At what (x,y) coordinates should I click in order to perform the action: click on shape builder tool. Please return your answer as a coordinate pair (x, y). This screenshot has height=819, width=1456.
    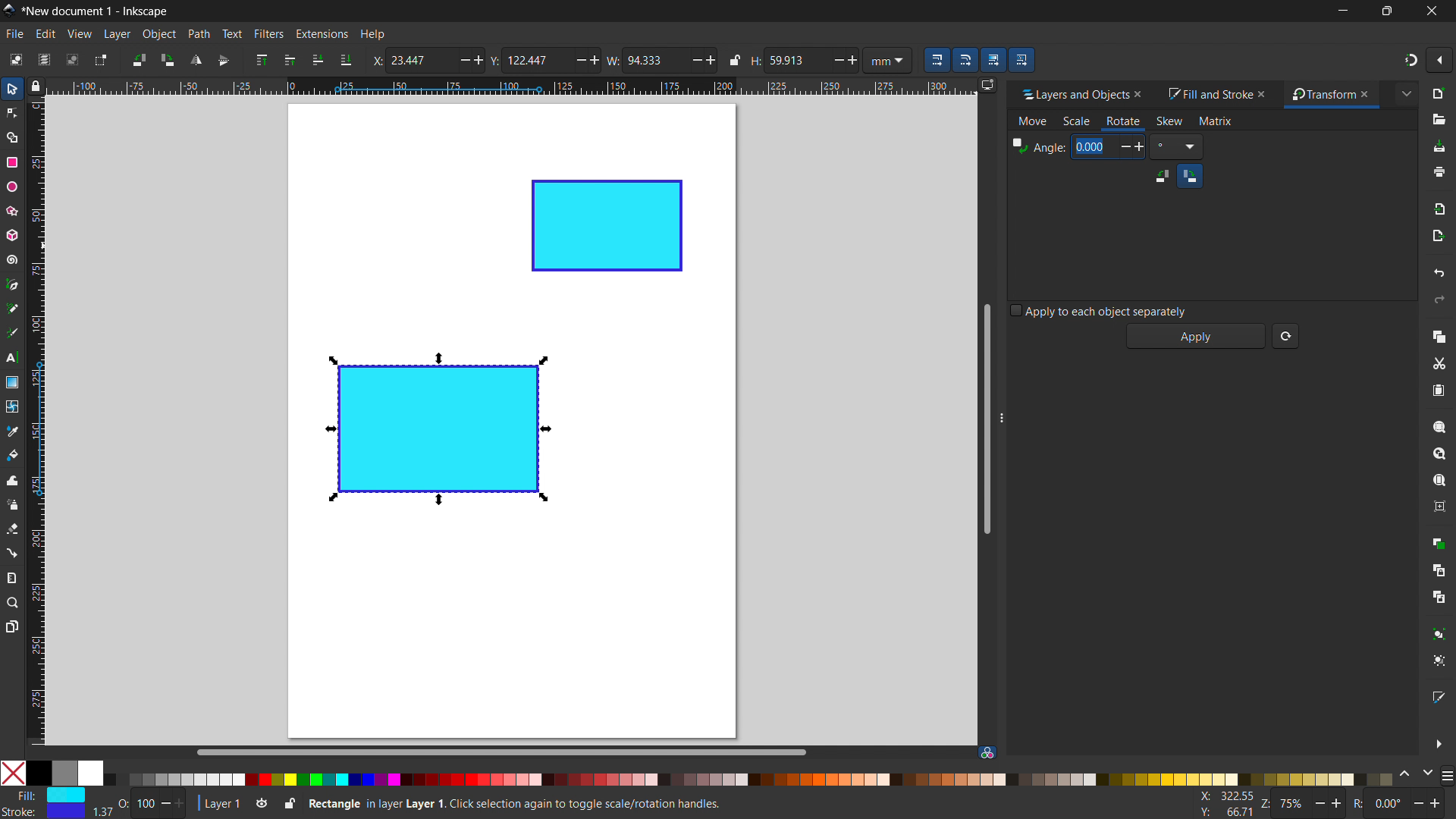
    Looking at the image, I should click on (10, 136).